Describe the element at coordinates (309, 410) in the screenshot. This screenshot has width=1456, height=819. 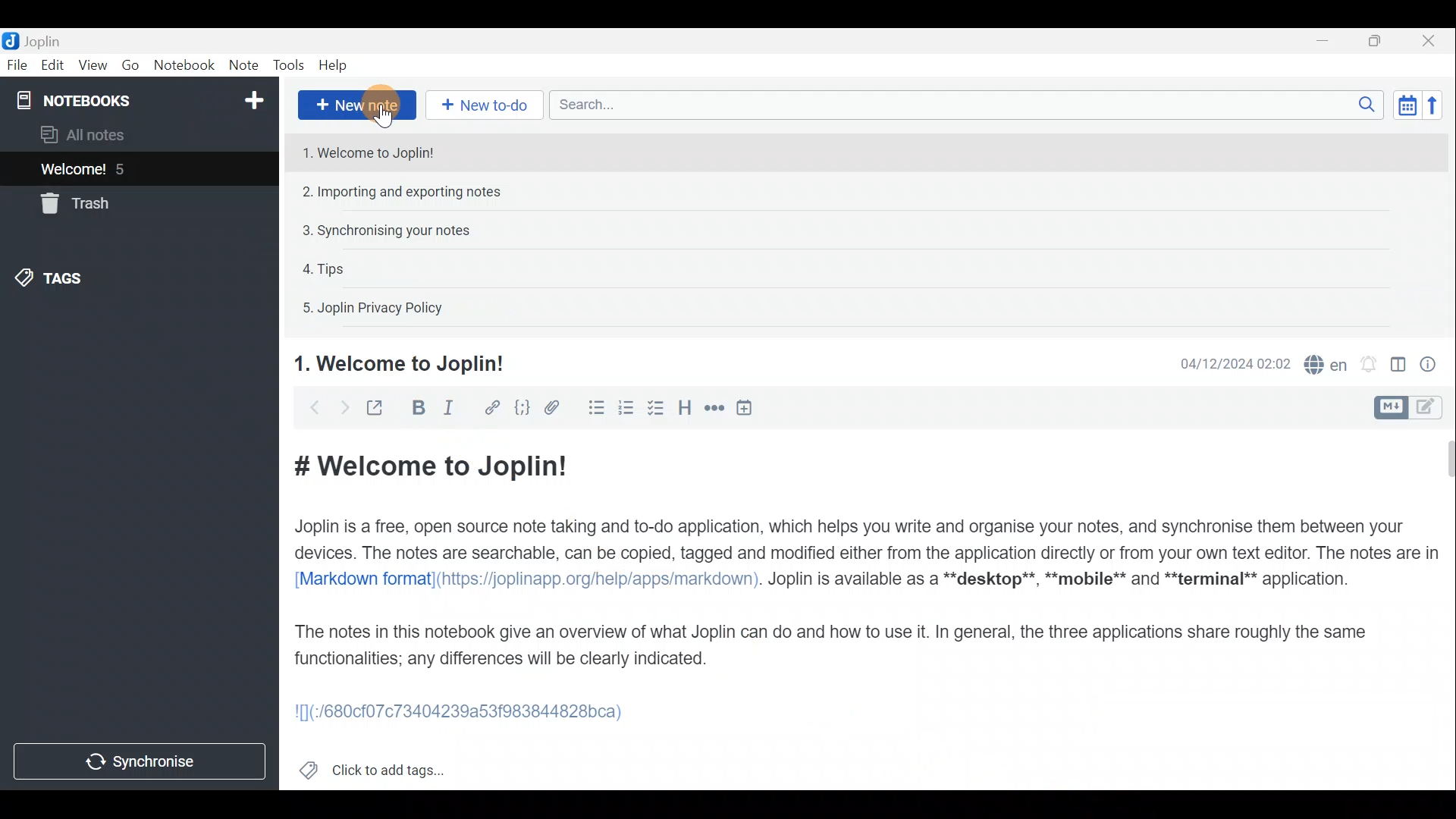
I see `Back` at that location.